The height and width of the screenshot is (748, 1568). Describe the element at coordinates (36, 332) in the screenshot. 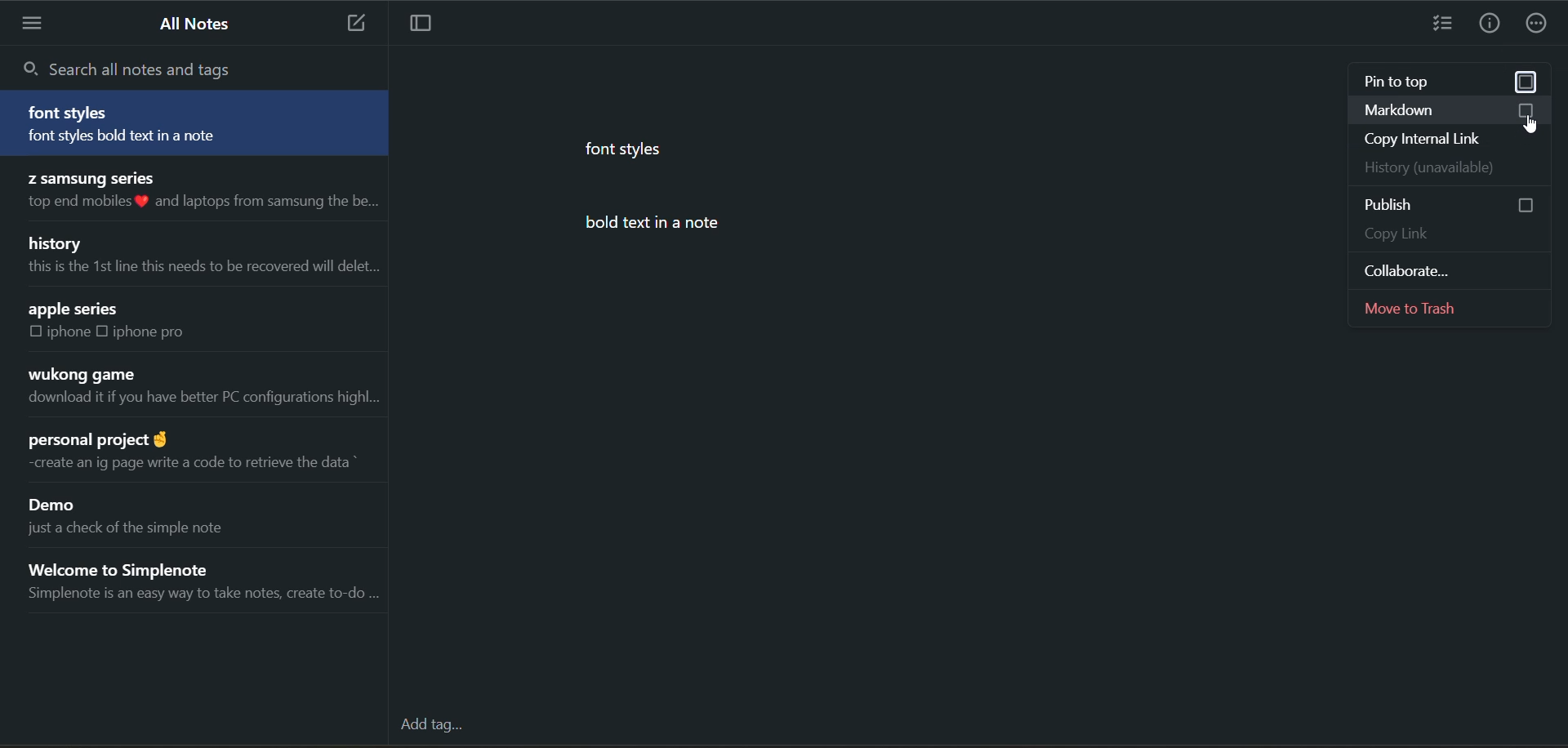

I see `checkbox` at that location.